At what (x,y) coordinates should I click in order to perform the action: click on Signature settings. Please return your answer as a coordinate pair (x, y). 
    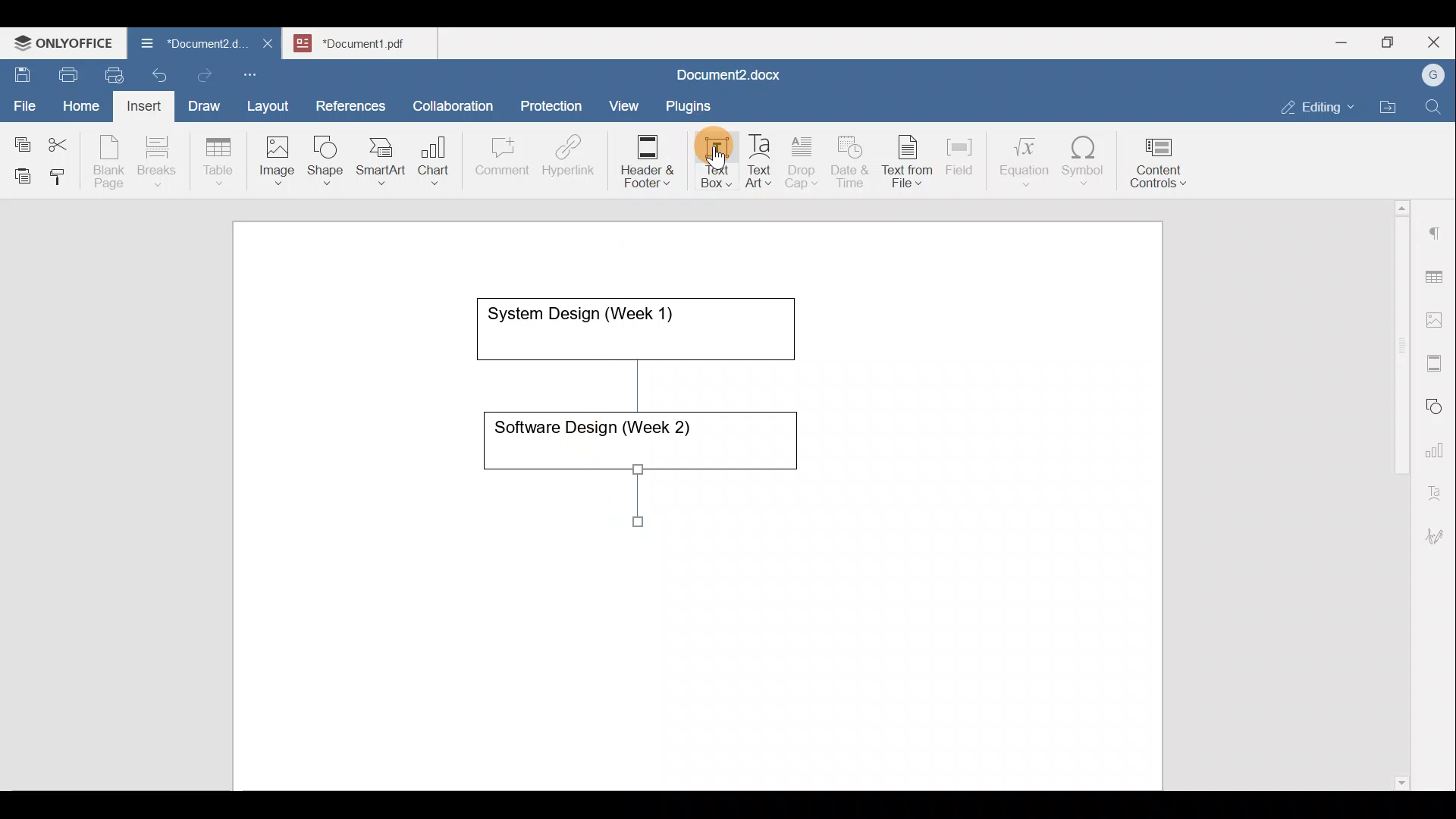
    Looking at the image, I should click on (1439, 531).